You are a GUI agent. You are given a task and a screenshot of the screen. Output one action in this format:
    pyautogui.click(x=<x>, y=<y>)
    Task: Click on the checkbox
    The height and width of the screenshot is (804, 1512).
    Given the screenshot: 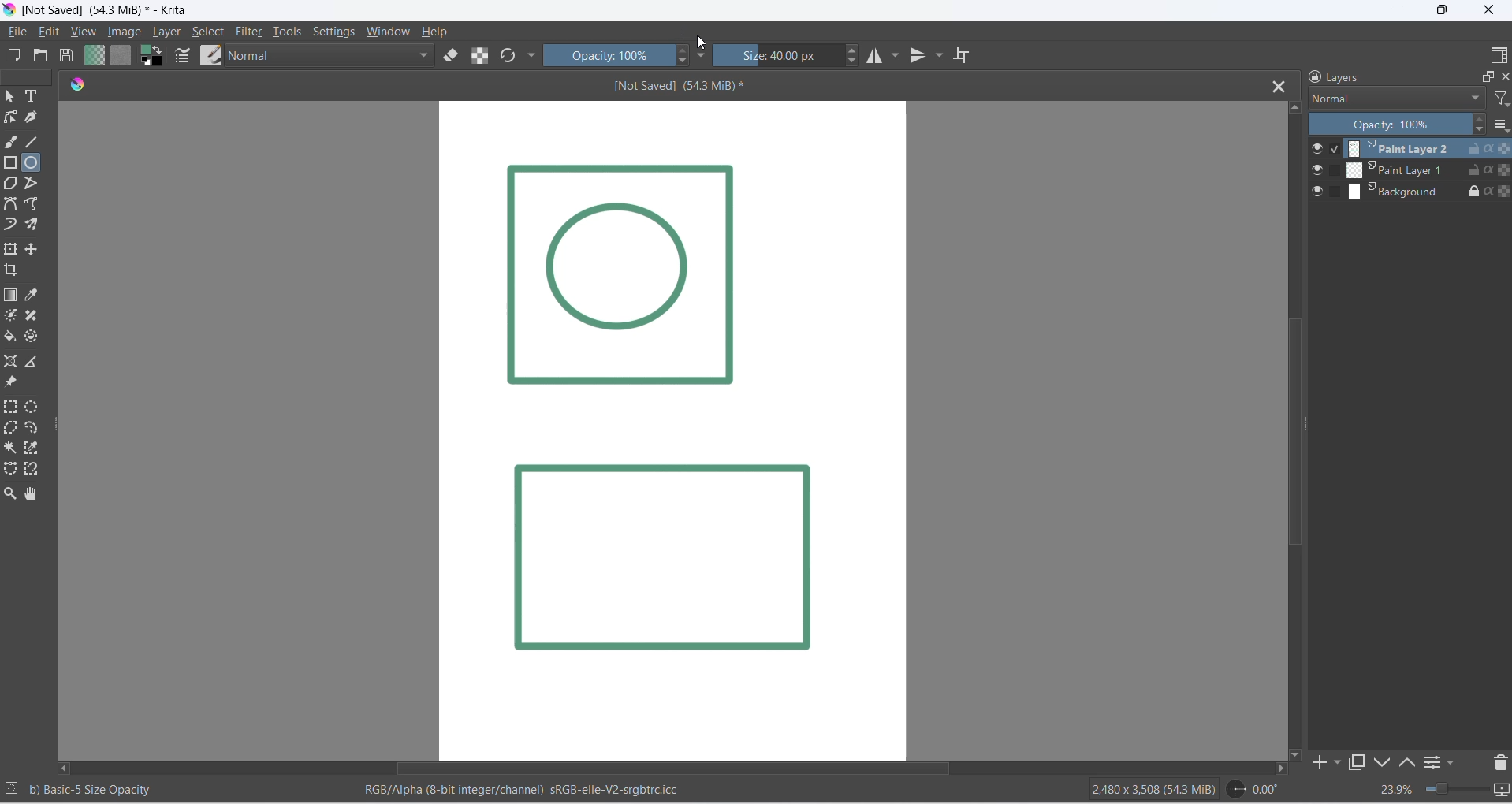 What is the action you would take?
    pyautogui.click(x=1335, y=169)
    